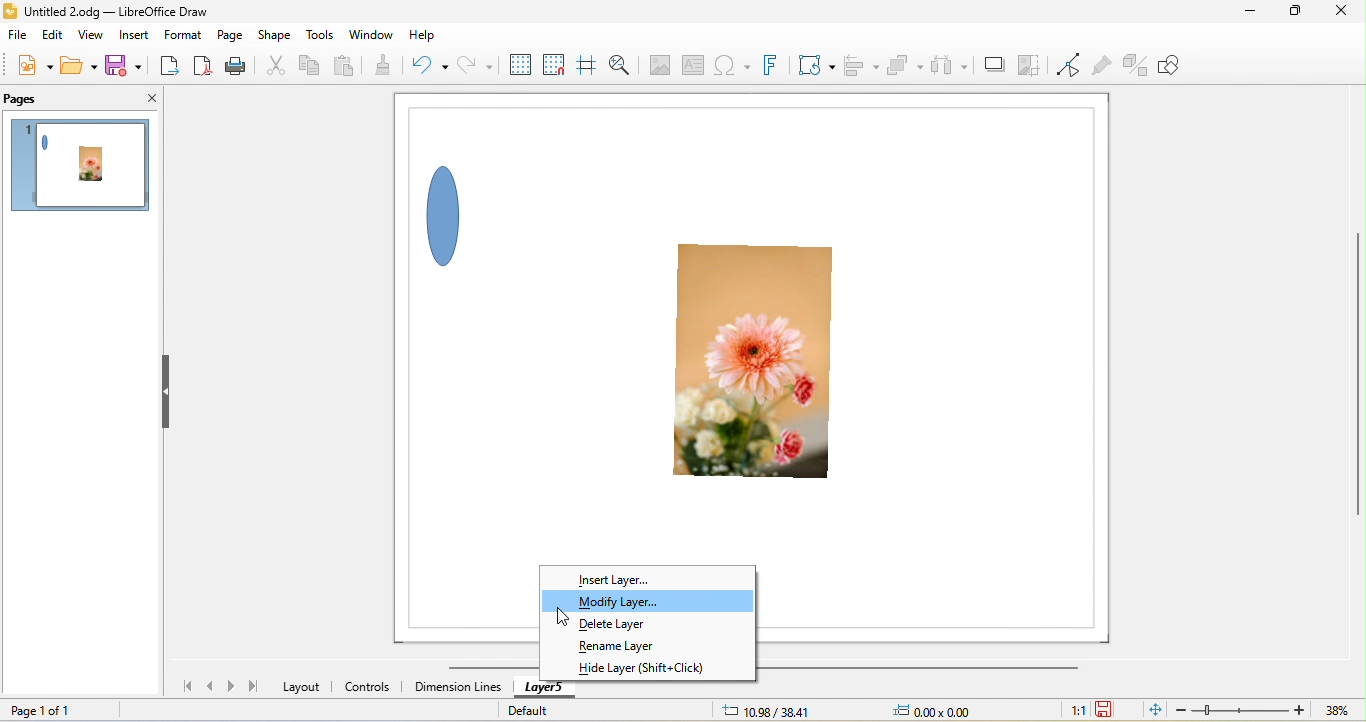 This screenshot has width=1366, height=722. I want to click on close, so click(1339, 14).